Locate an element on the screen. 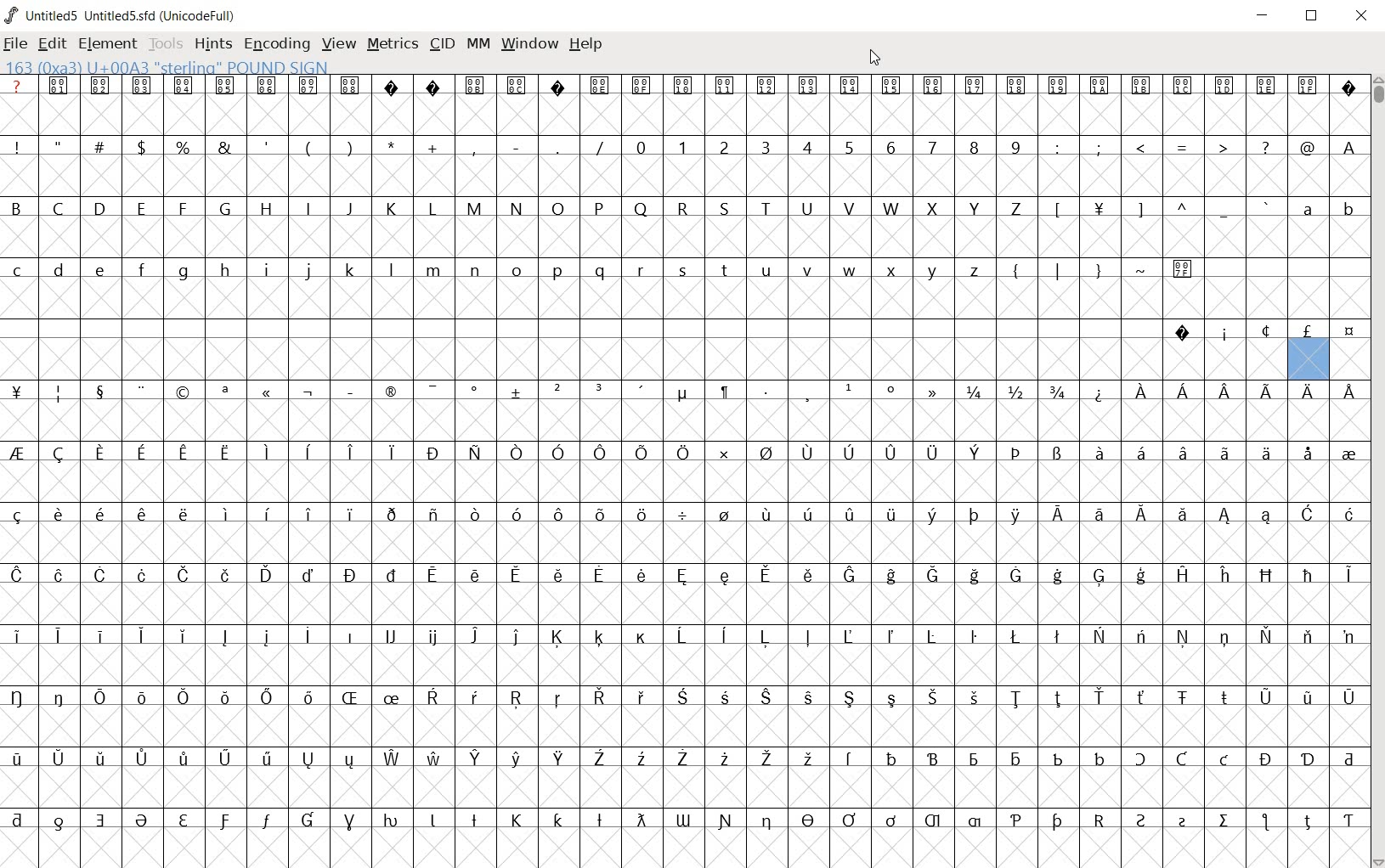 The height and width of the screenshot is (868, 1385). Symbol is located at coordinates (767, 452).